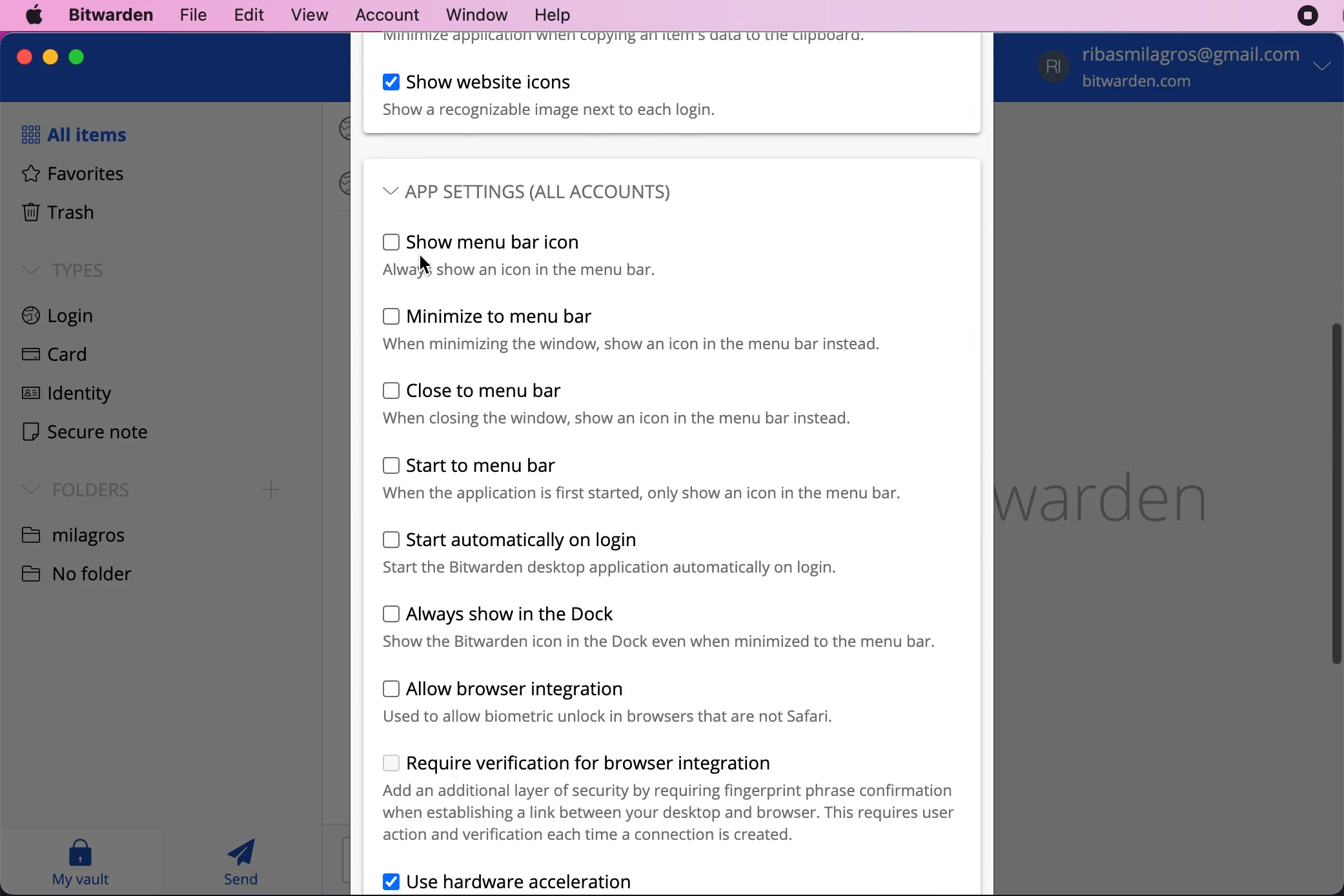 The height and width of the screenshot is (896, 1344). I want to click on recording stopped, so click(1308, 16).